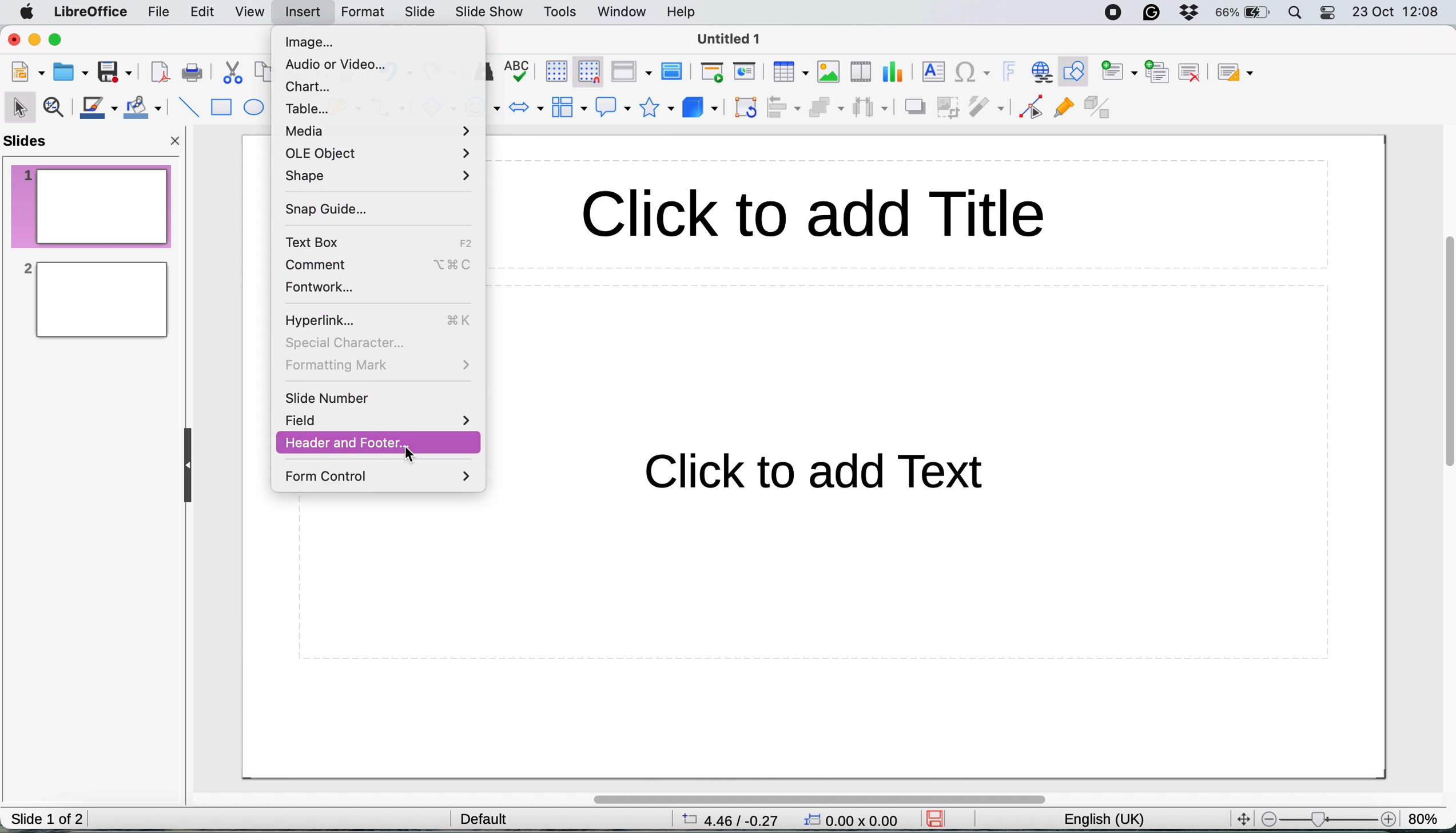  Describe the element at coordinates (973, 73) in the screenshot. I see `insert special character` at that location.